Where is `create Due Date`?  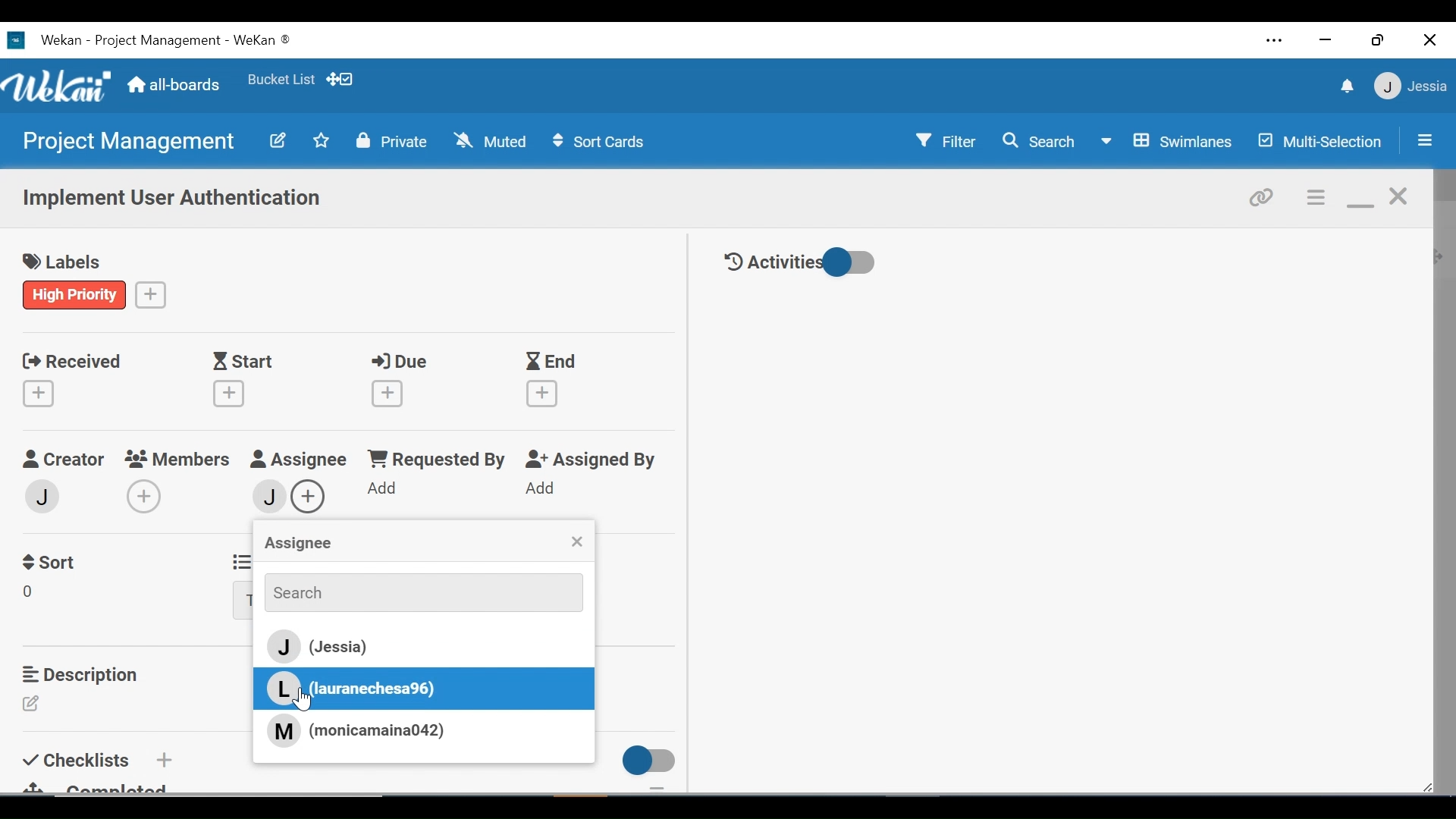 create Due Date is located at coordinates (388, 394).